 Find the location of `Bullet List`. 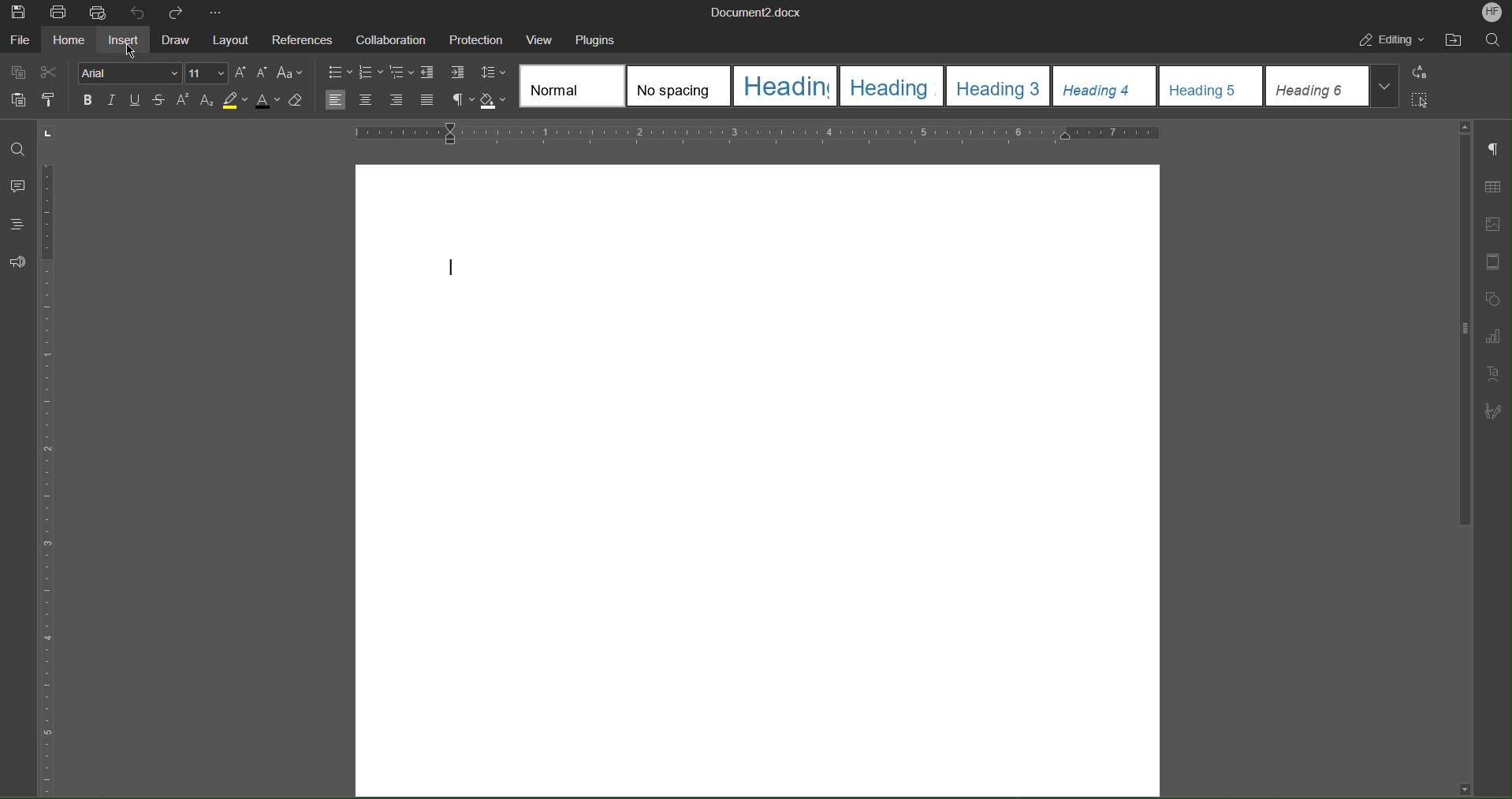

Bullet List is located at coordinates (338, 72).